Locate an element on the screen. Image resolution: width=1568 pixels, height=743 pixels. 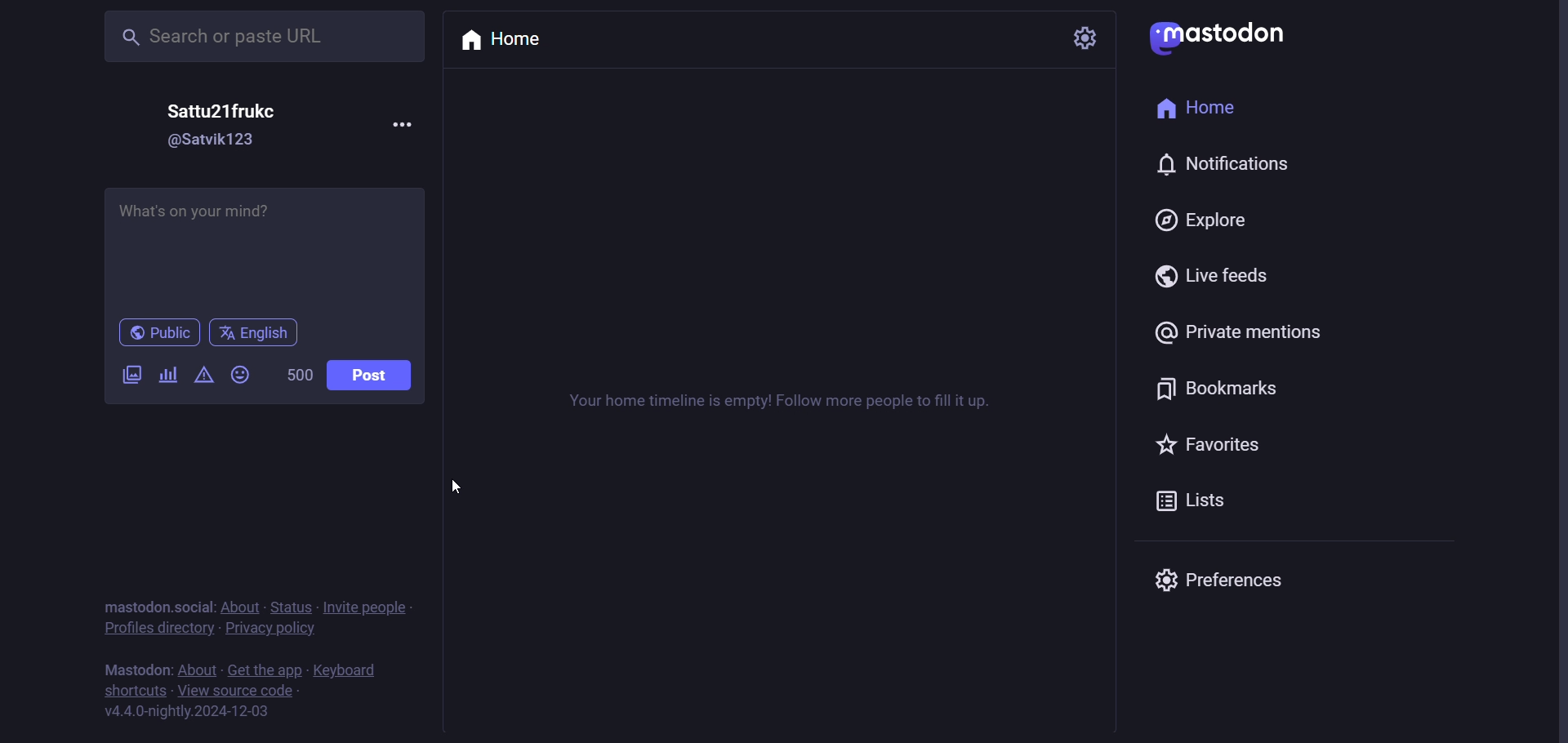
content warning is located at coordinates (201, 378).